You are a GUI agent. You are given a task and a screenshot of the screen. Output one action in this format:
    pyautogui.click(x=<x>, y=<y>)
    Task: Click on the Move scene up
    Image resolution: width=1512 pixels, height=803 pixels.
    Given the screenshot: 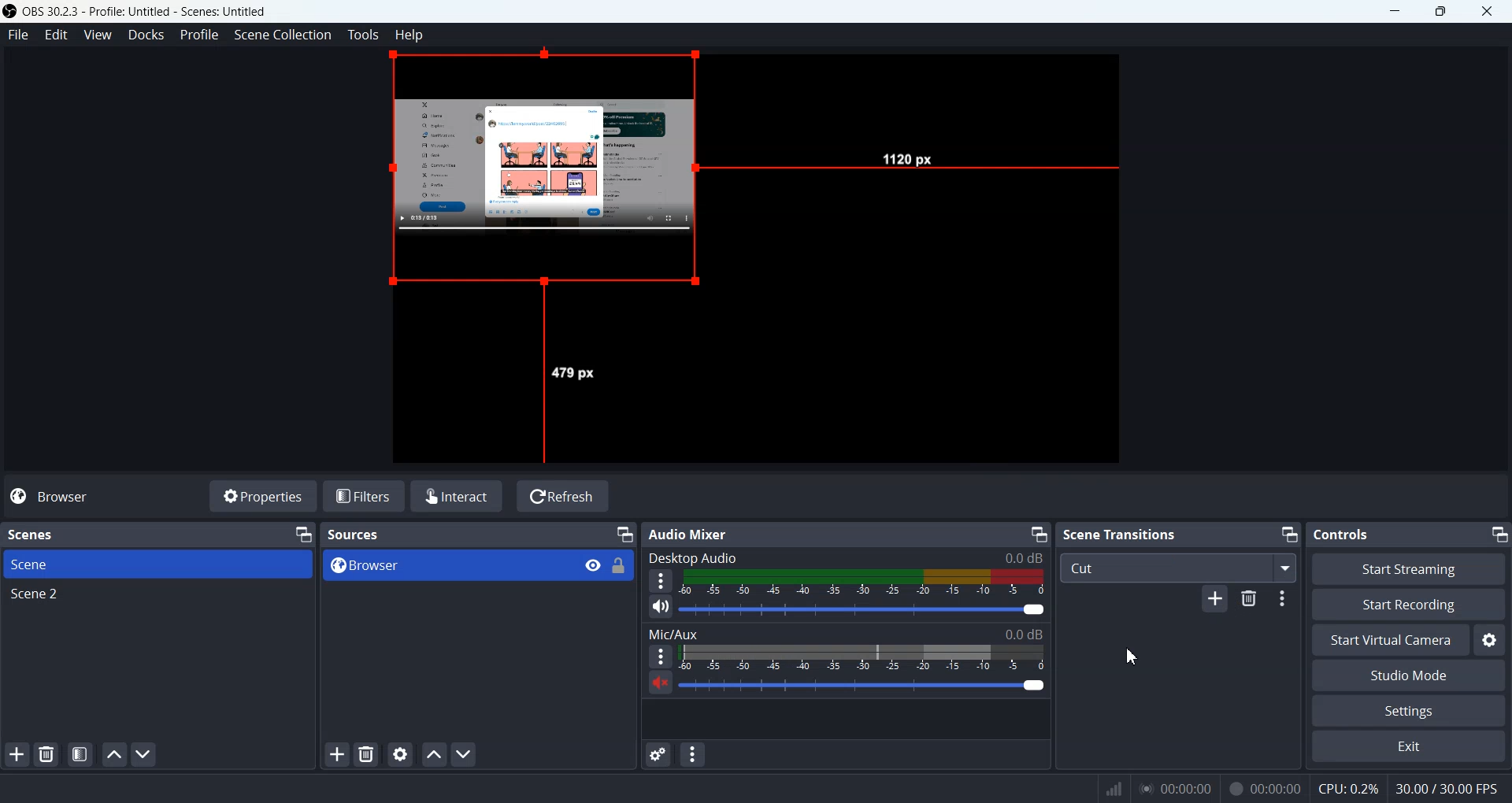 What is the action you would take?
    pyautogui.click(x=115, y=755)
    